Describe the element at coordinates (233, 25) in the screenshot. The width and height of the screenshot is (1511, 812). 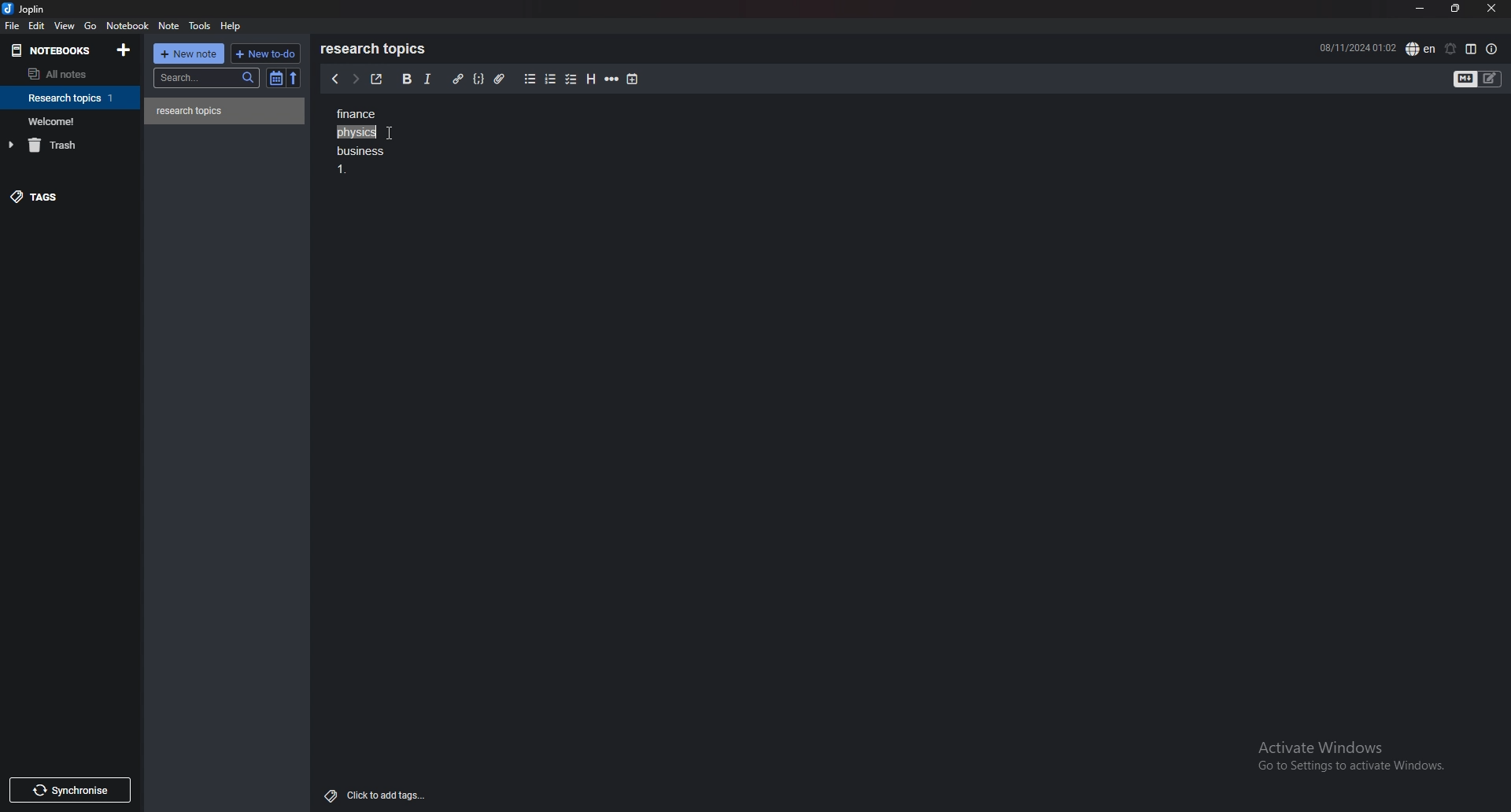
I see `help` at that location.